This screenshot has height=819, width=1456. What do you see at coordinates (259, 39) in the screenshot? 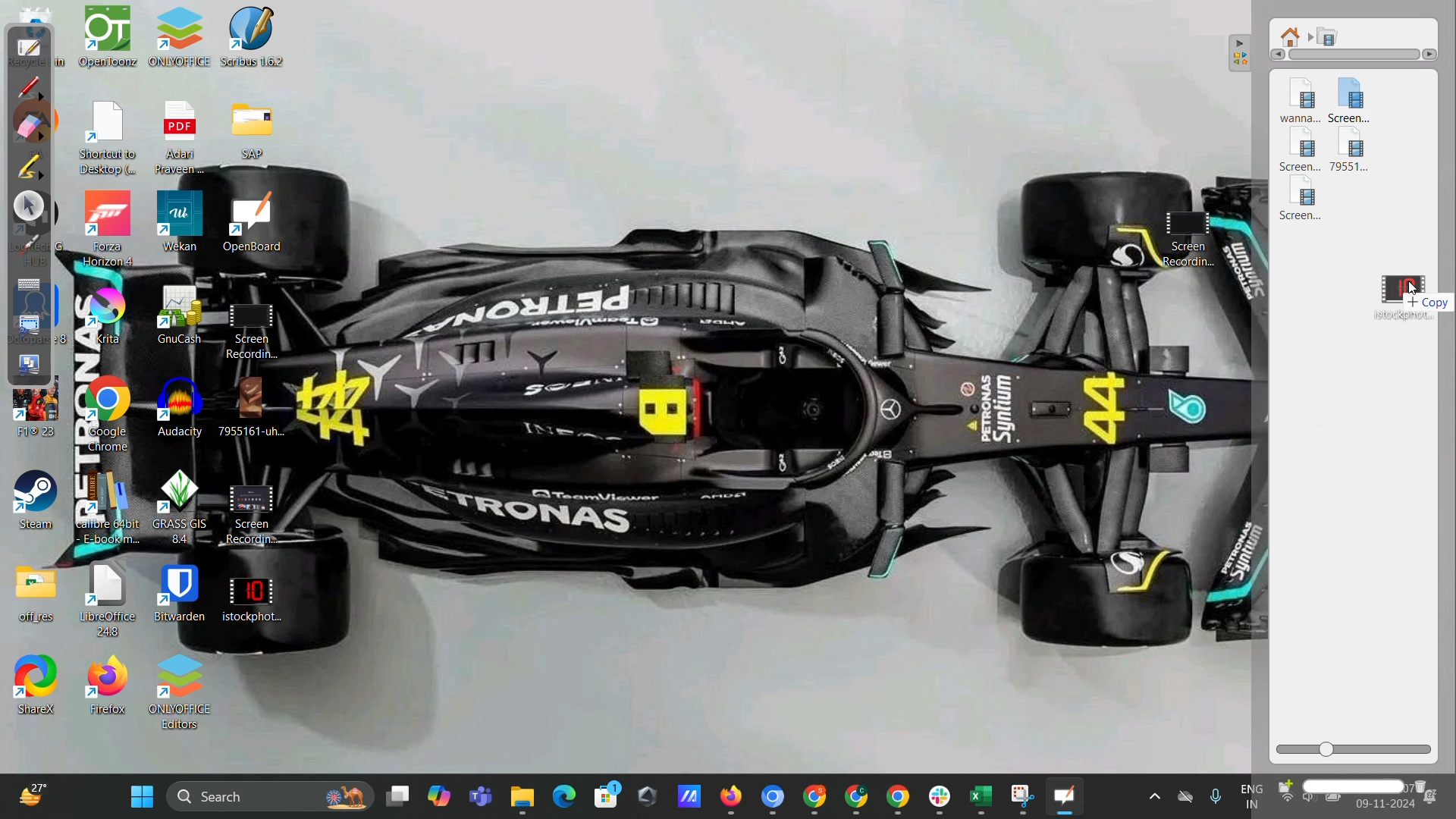
I see `Scribus 1.6.2` at bounding box center [259, 39].